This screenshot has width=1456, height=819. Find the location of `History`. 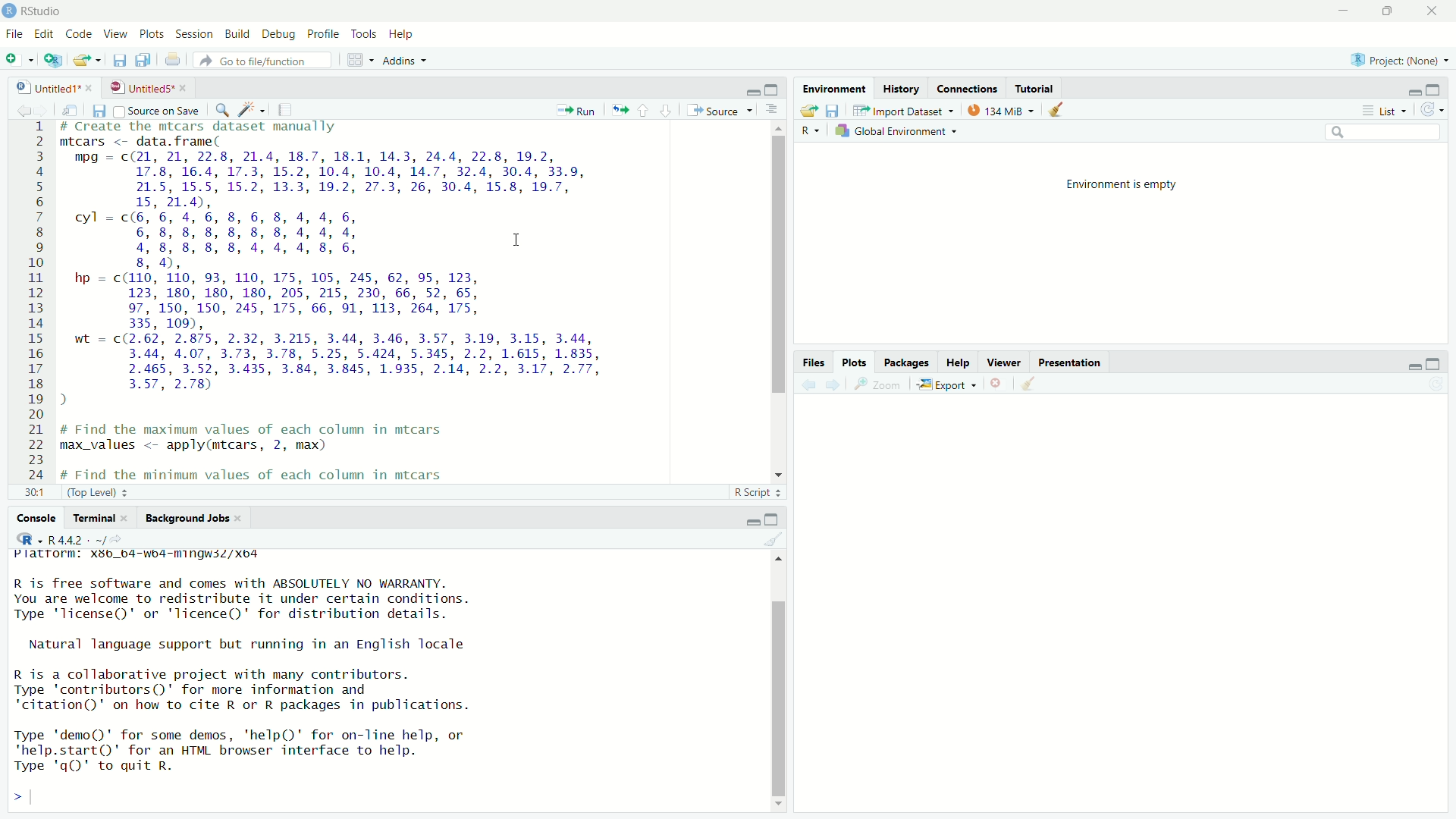

History is located at coordinates (905, 89).